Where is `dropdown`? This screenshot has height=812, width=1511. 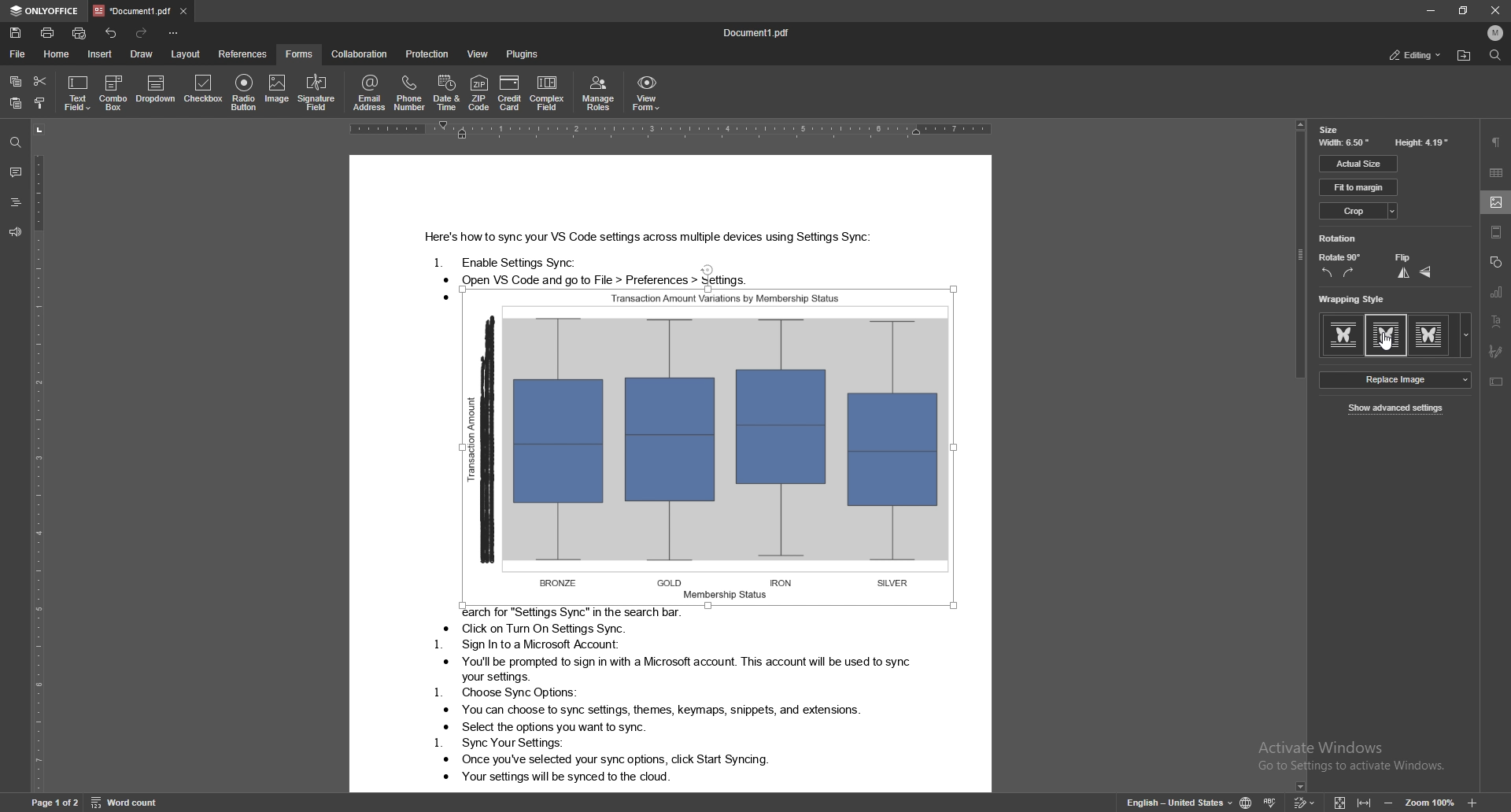 dropdown is located at coordinates (157, 91).